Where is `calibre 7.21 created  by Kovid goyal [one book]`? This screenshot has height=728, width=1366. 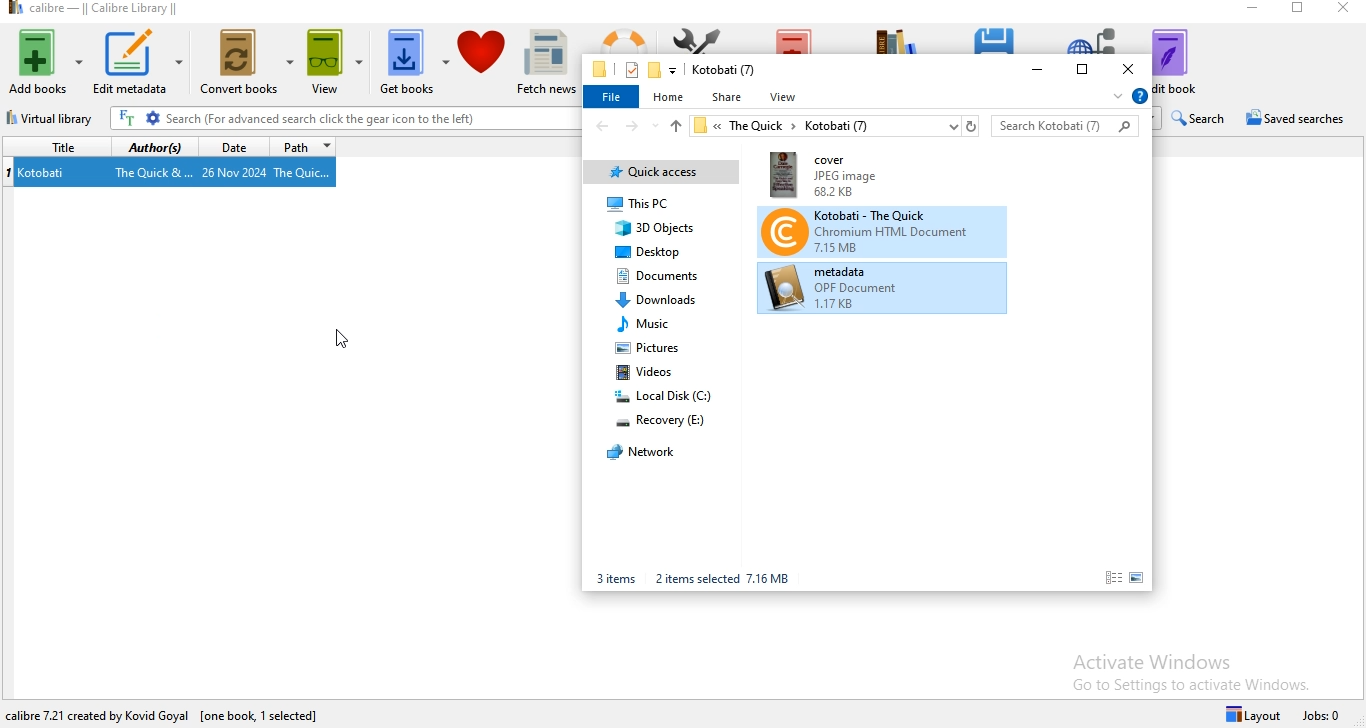
calibre 7.21 created  by Kovid goyal [one book] is located at coordinates (127, 712).